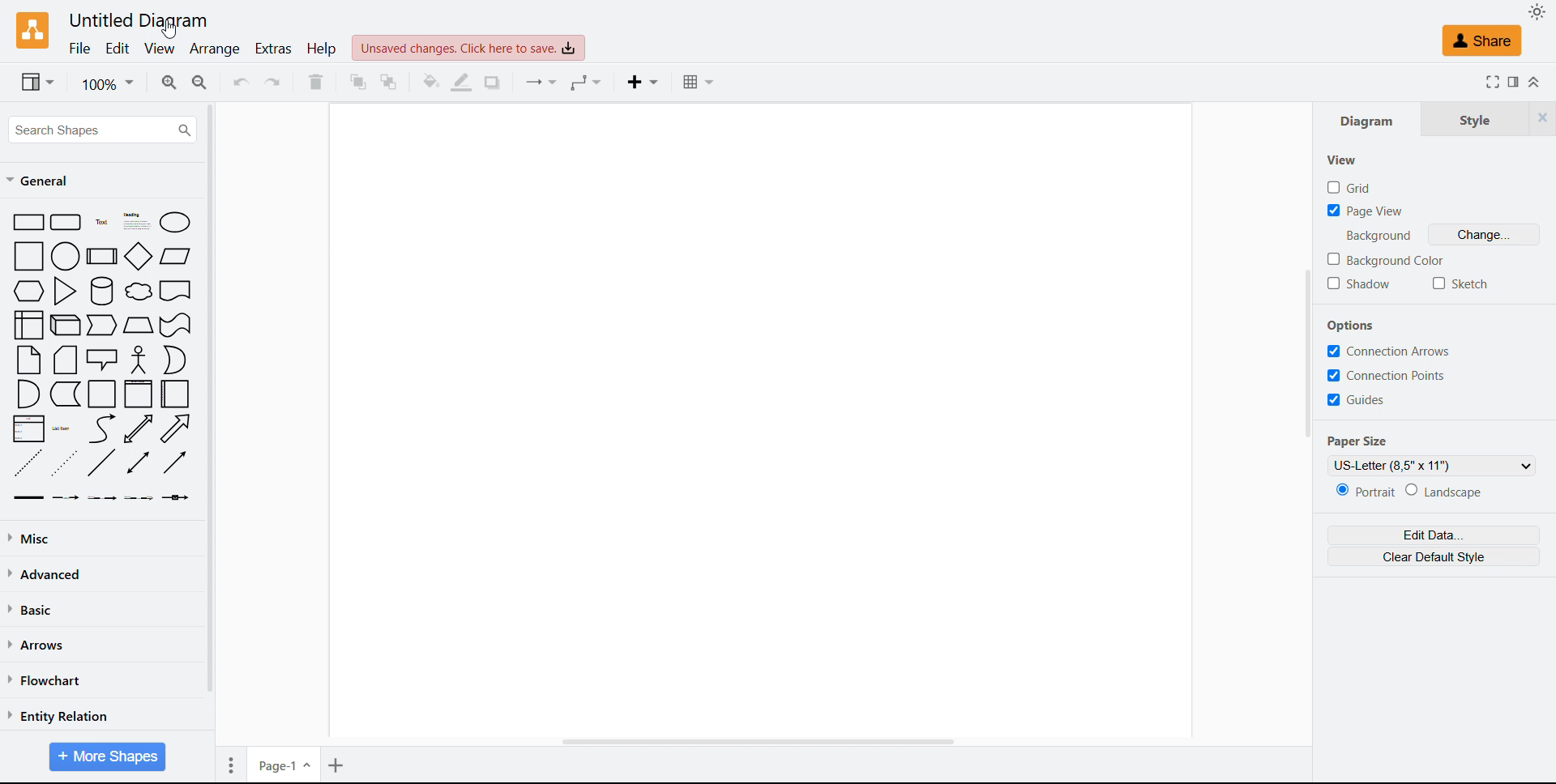 The image size is (1556, 784). Describe the element at coordinates (430, 82) in the screenshot. I see `Fill colour ` at that location.